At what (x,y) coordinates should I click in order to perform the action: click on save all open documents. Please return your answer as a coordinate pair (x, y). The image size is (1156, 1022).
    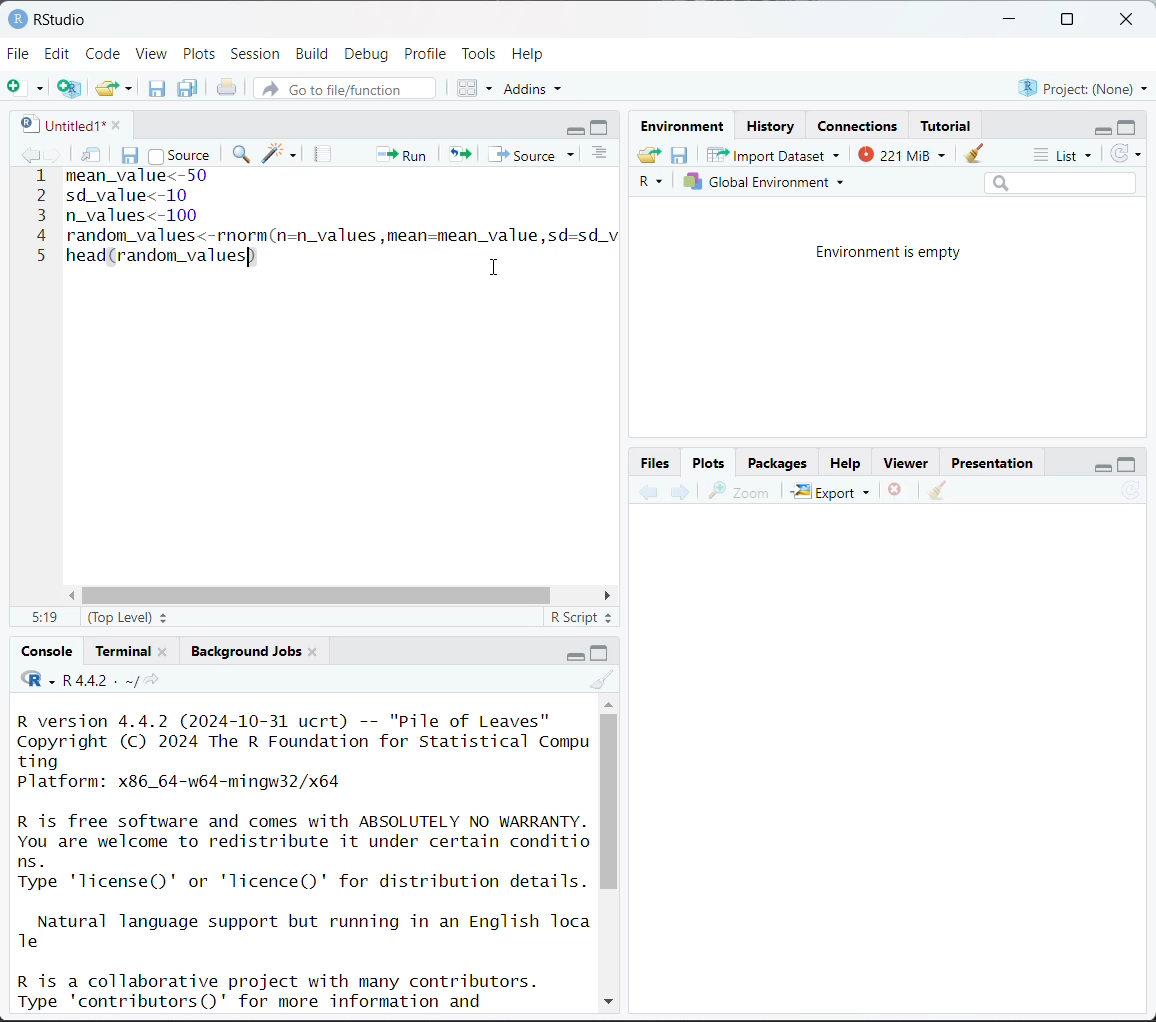
    Looking at the image, I should click on (189, 88).